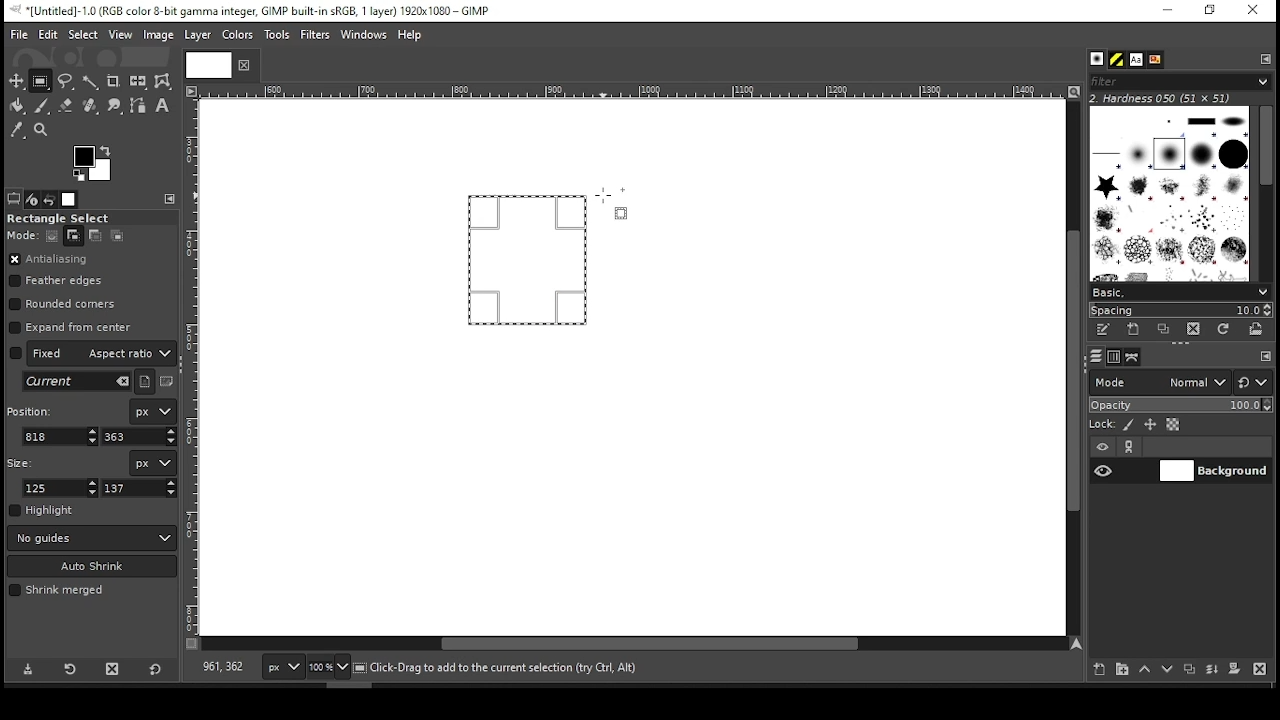 This screenshot has width=1280, height=720. I want to click on duplicate layer, so click(1192, 671).